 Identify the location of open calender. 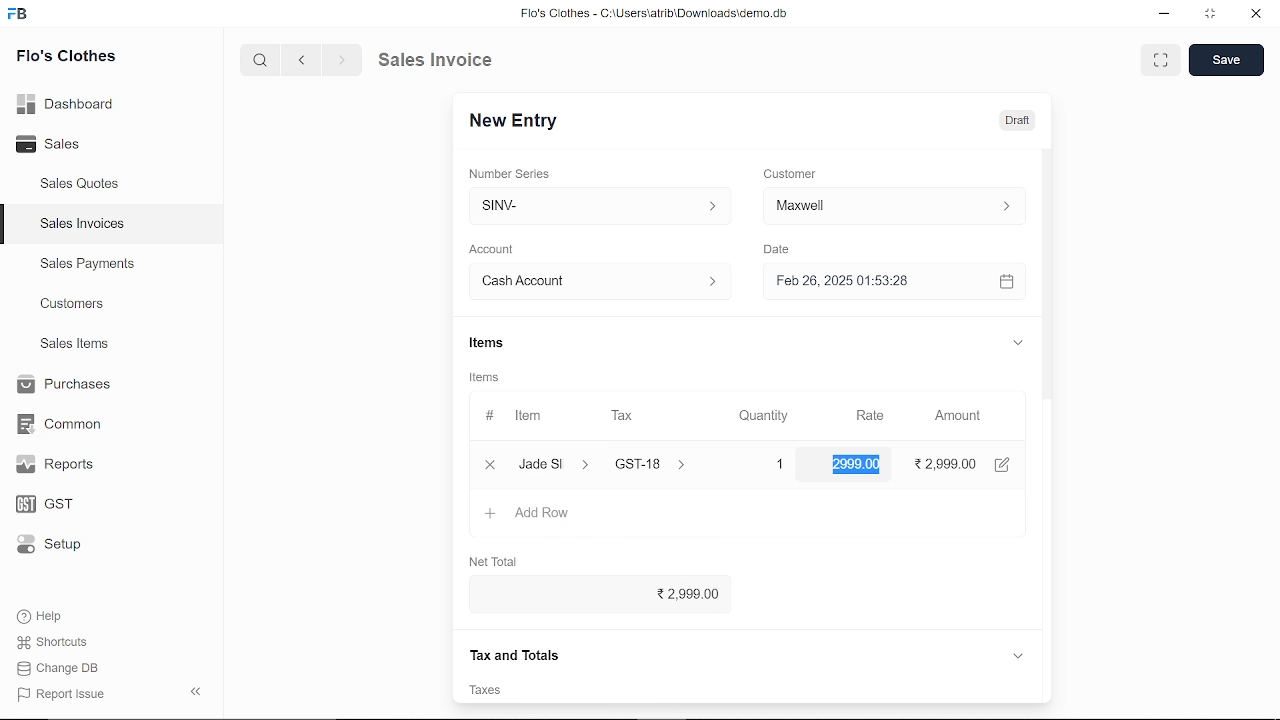
(1006, 281).